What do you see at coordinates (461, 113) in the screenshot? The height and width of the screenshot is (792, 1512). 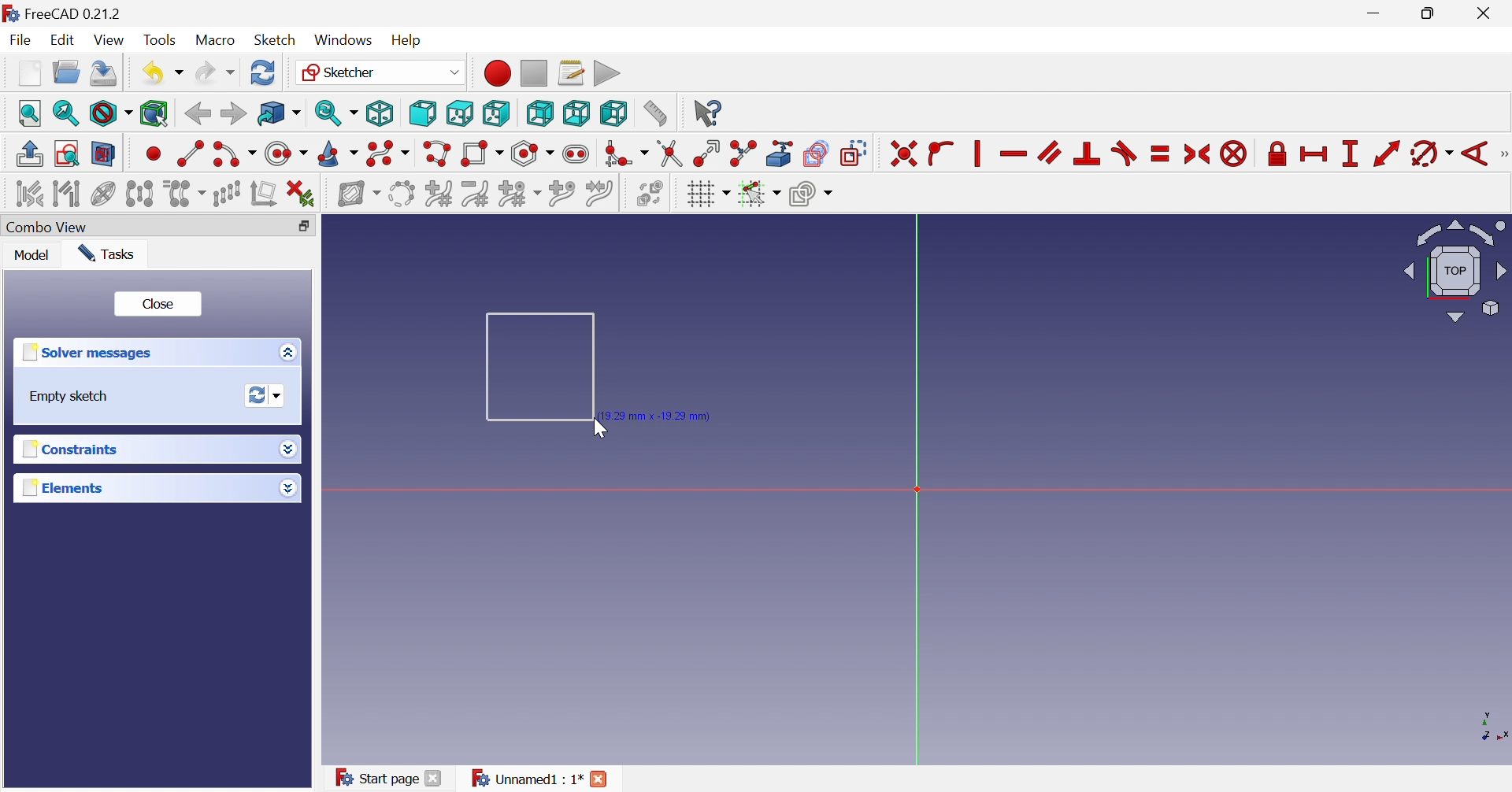 I see `Top` at bounding box center [461, 113].